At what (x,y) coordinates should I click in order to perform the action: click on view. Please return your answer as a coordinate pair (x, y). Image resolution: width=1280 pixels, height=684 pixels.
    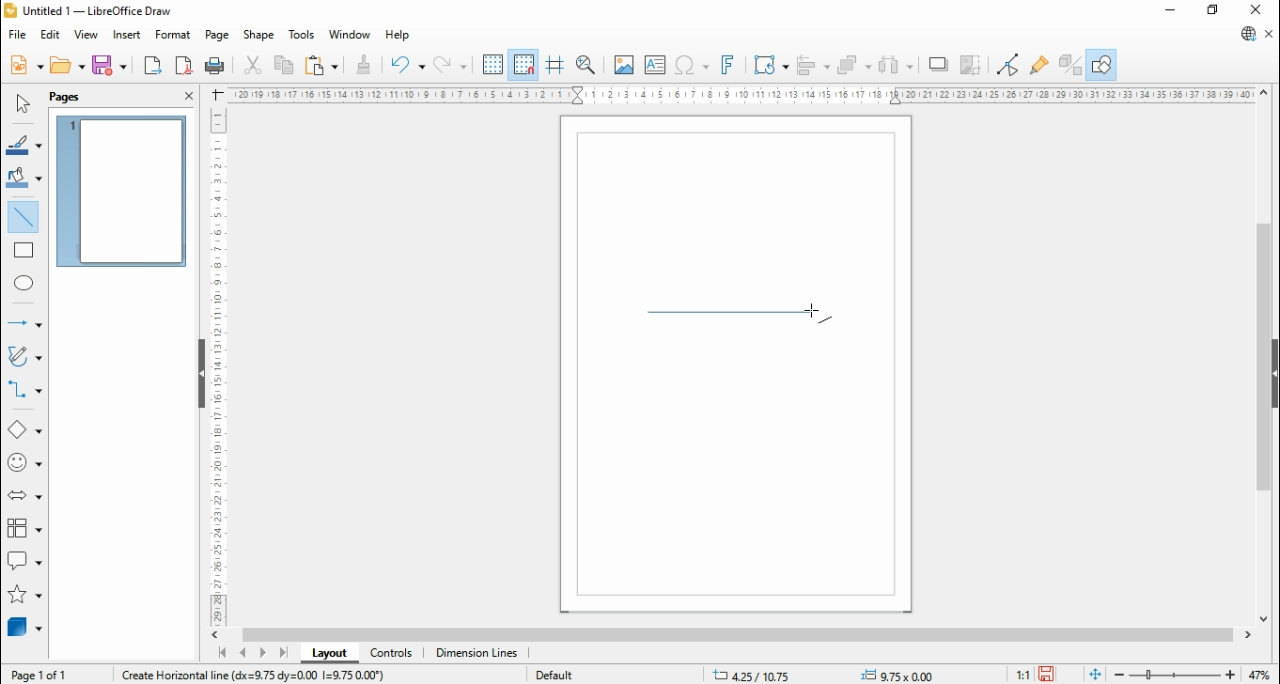
    Looking at the image, I should click on (86, 36).